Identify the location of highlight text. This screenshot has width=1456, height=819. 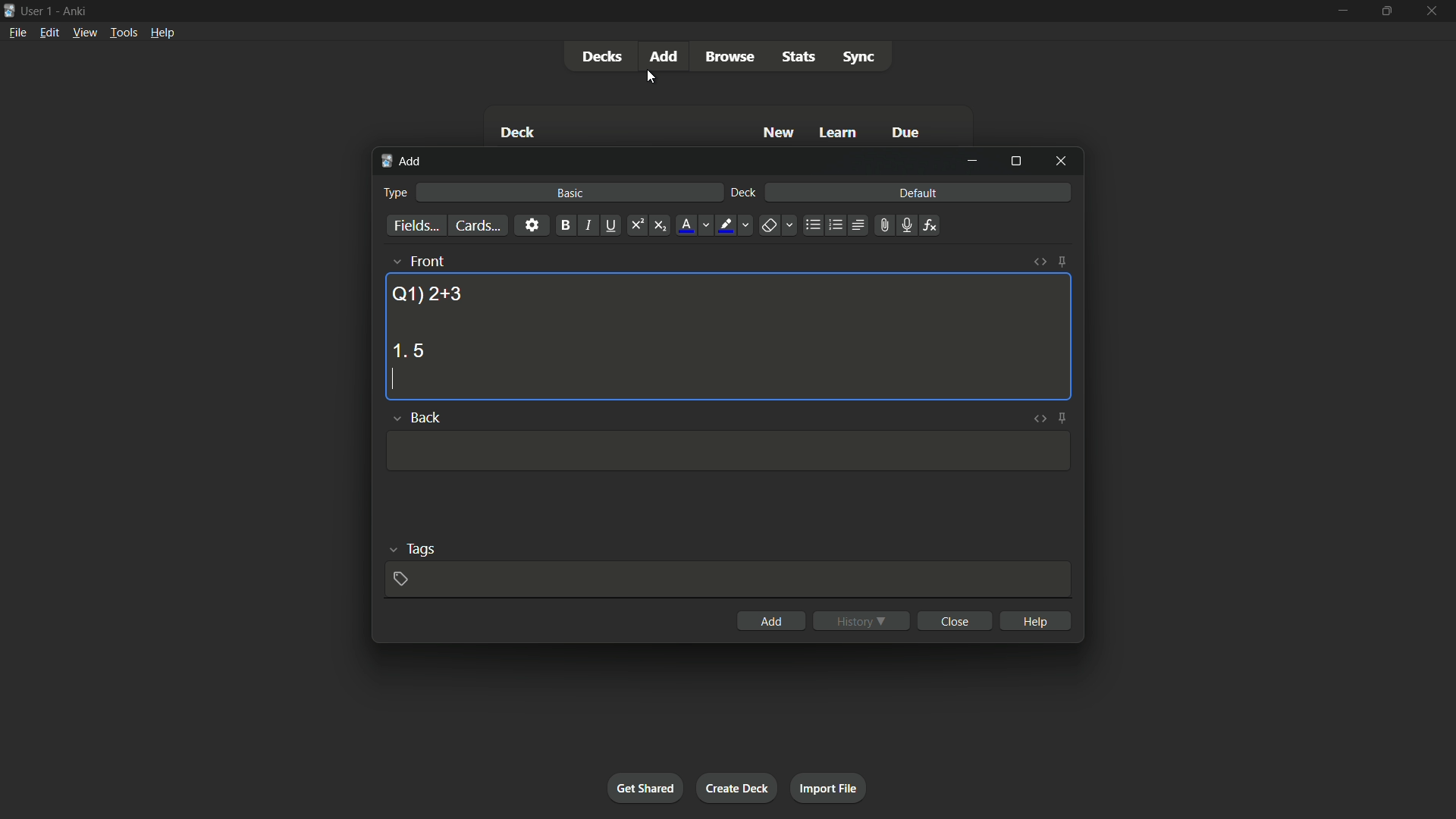
(723, 226).